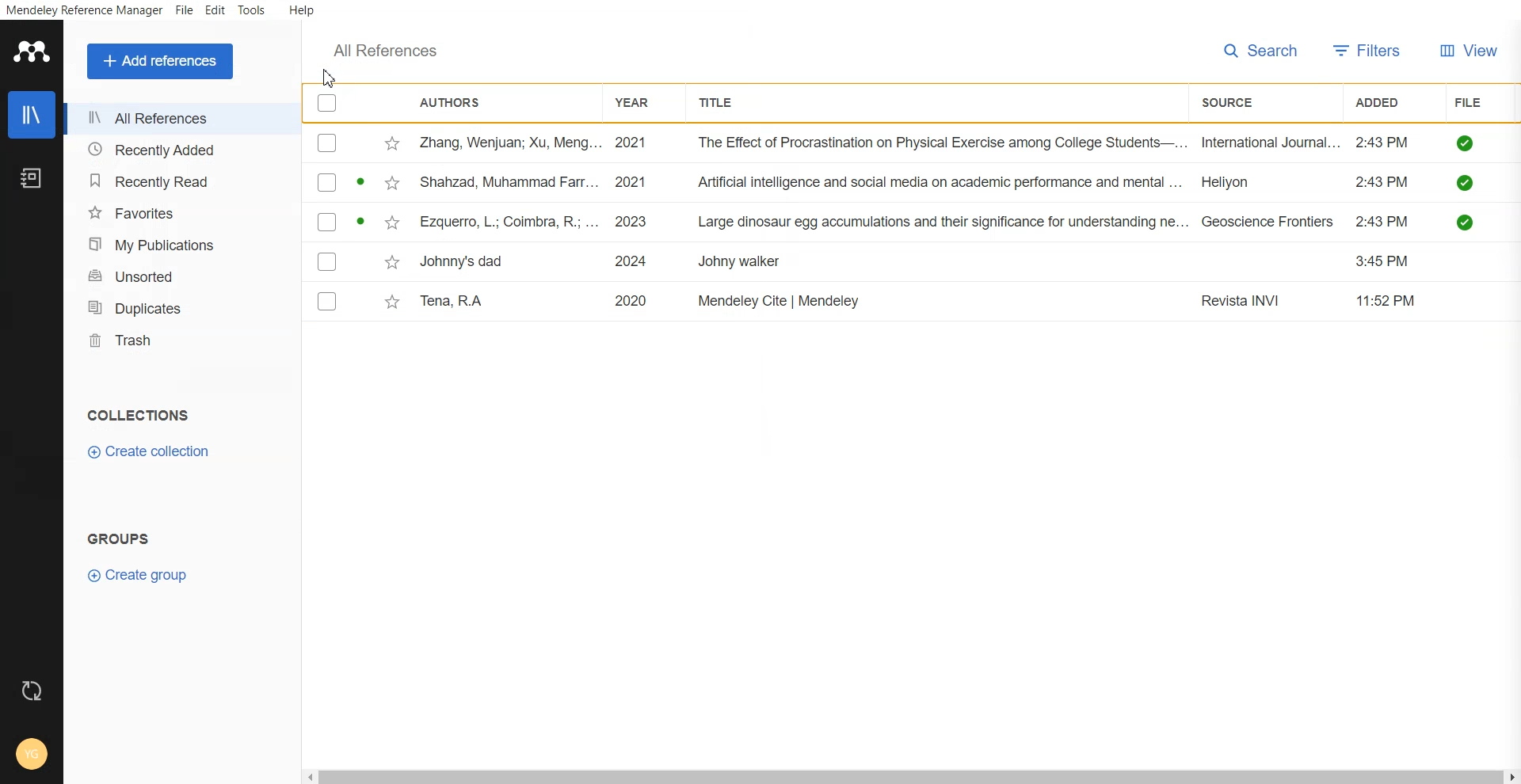  What do you see at coordinates (31, 179) in the screenshot?
I see `Notebook` at bounding box center [31, 179].